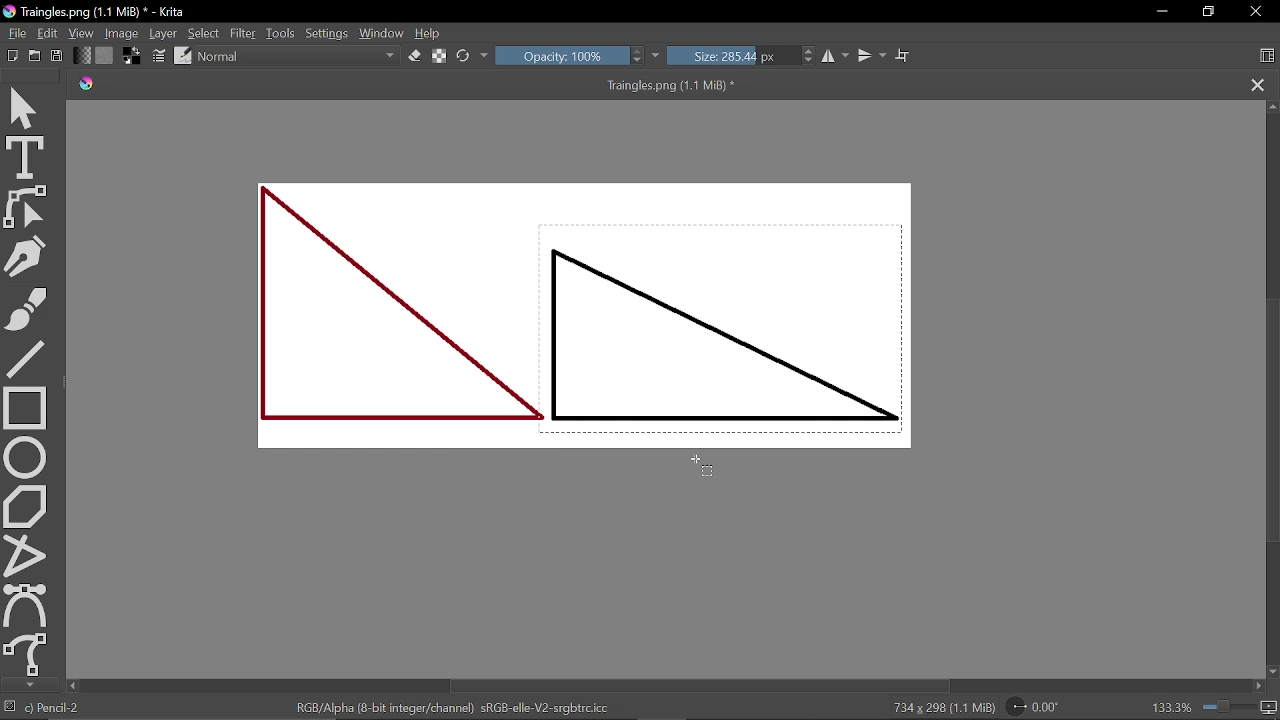 This screenshot has width=1280, height=720. I want to click on Tools, so click(280, 33).